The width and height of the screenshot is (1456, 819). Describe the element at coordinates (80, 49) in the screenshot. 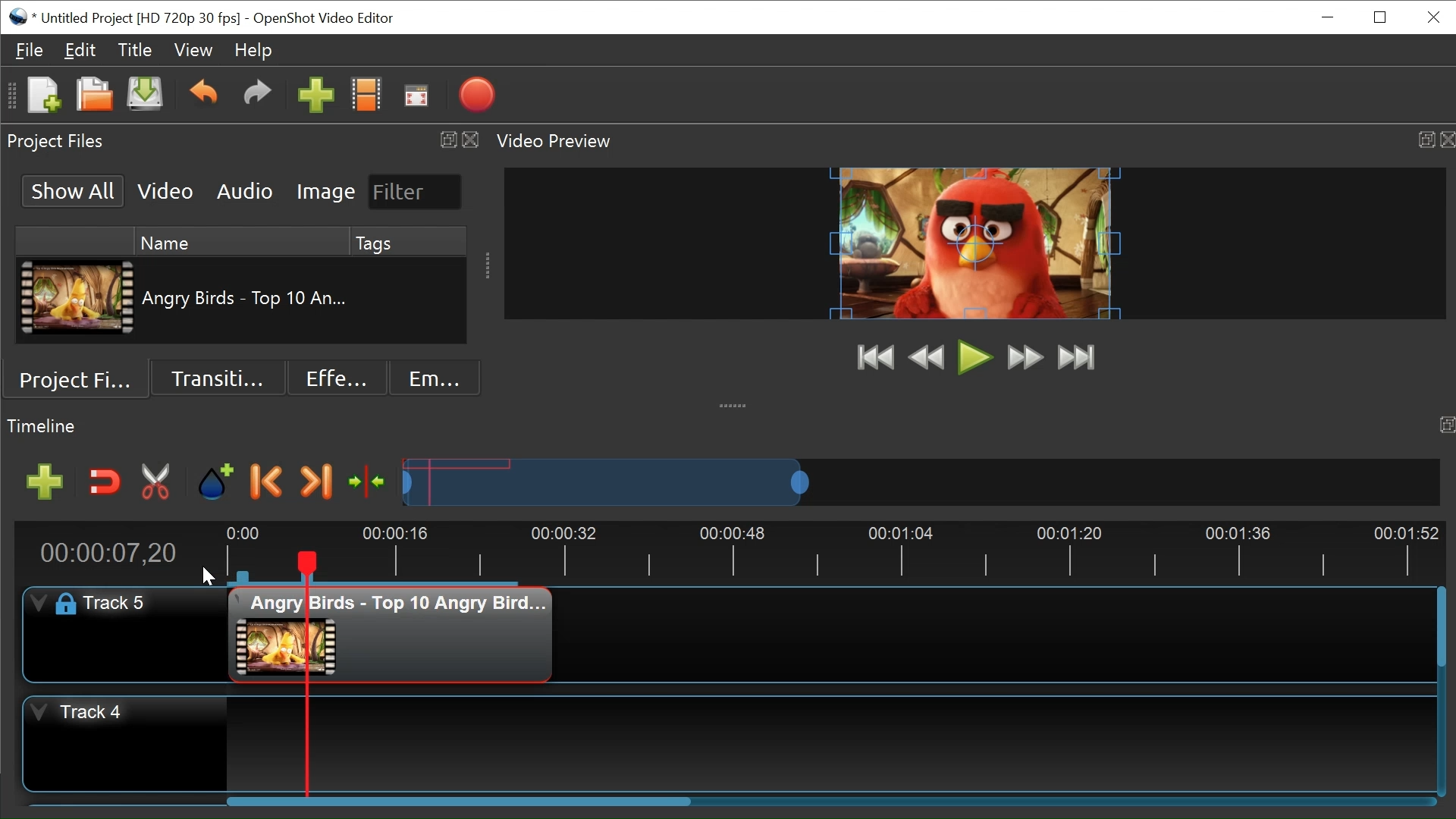

I see `Edit` at that location.